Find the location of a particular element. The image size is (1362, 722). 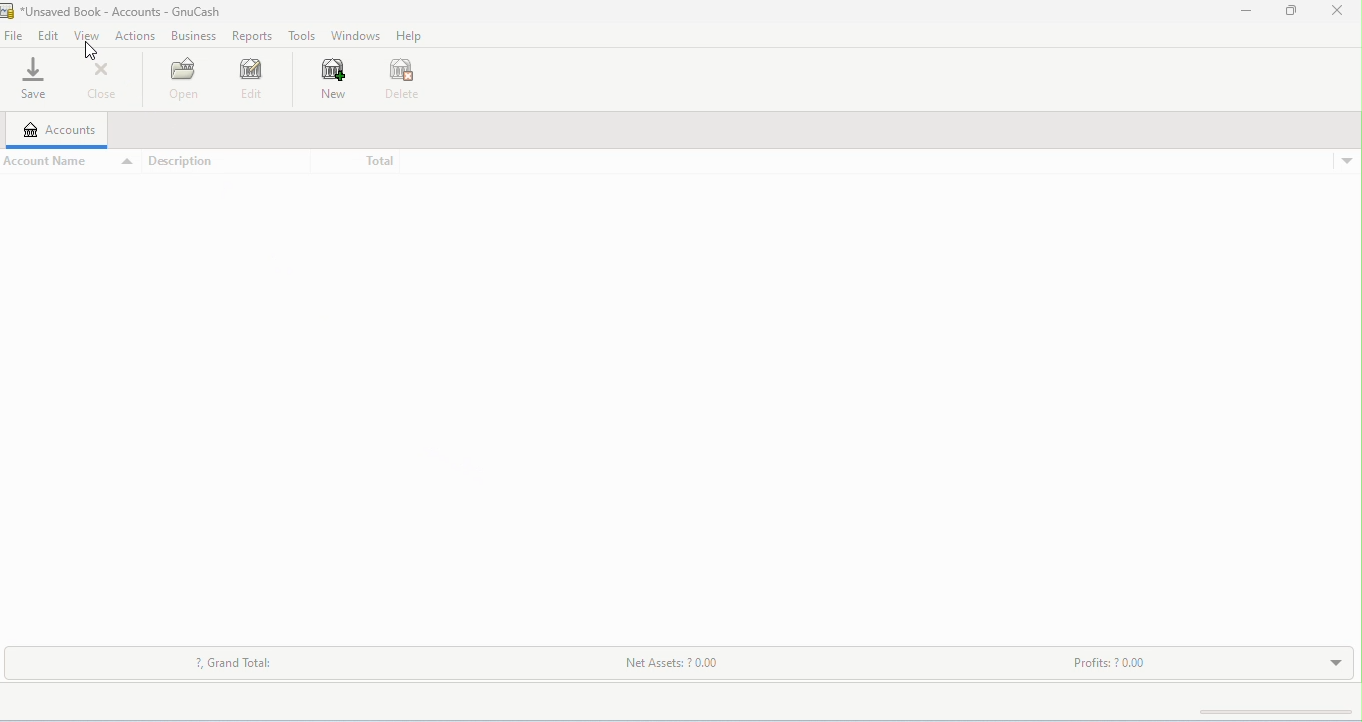

delete is located at coordinates (405, 77).